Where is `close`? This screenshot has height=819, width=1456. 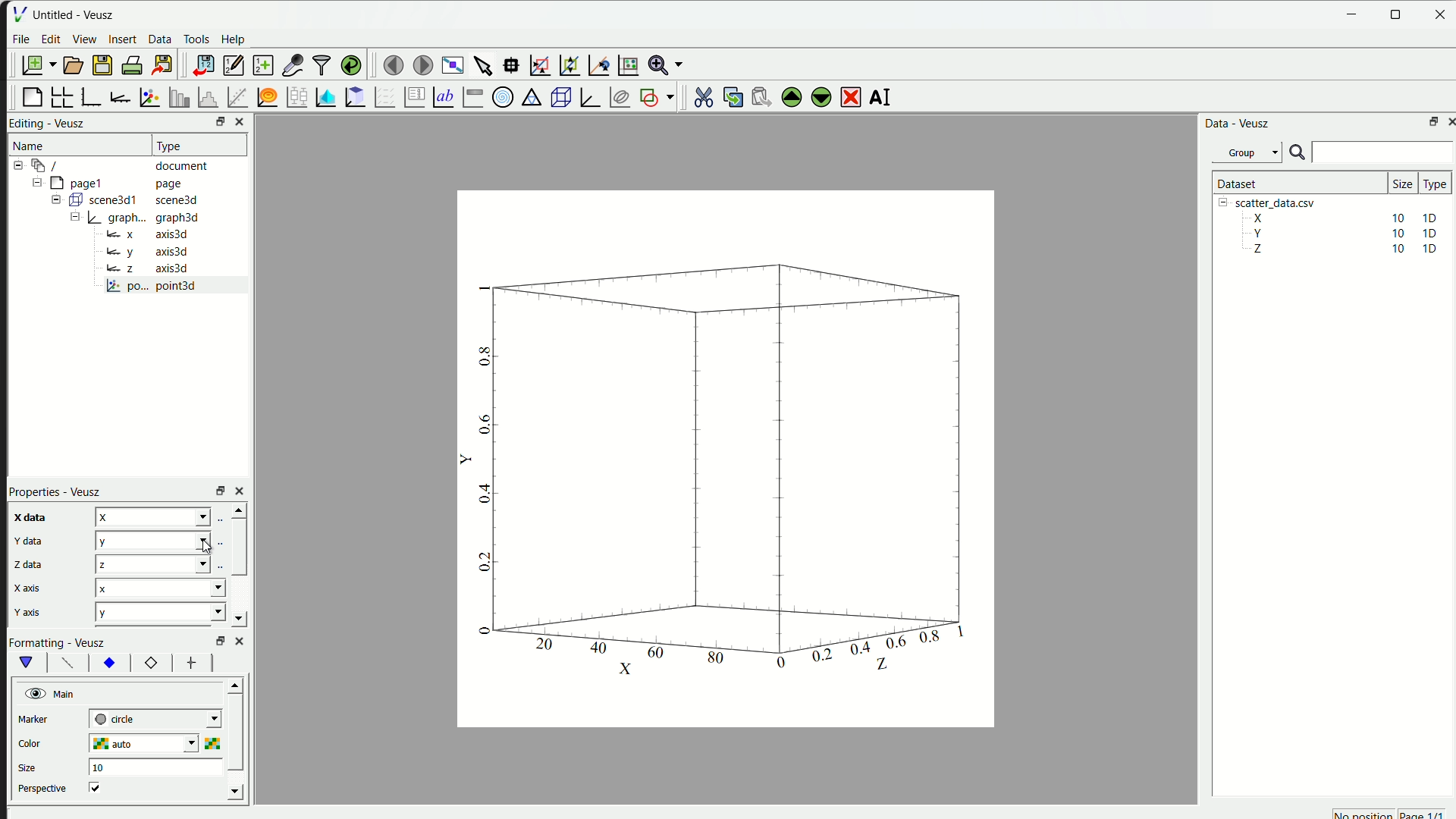
close is located at coordinates (240, 640).